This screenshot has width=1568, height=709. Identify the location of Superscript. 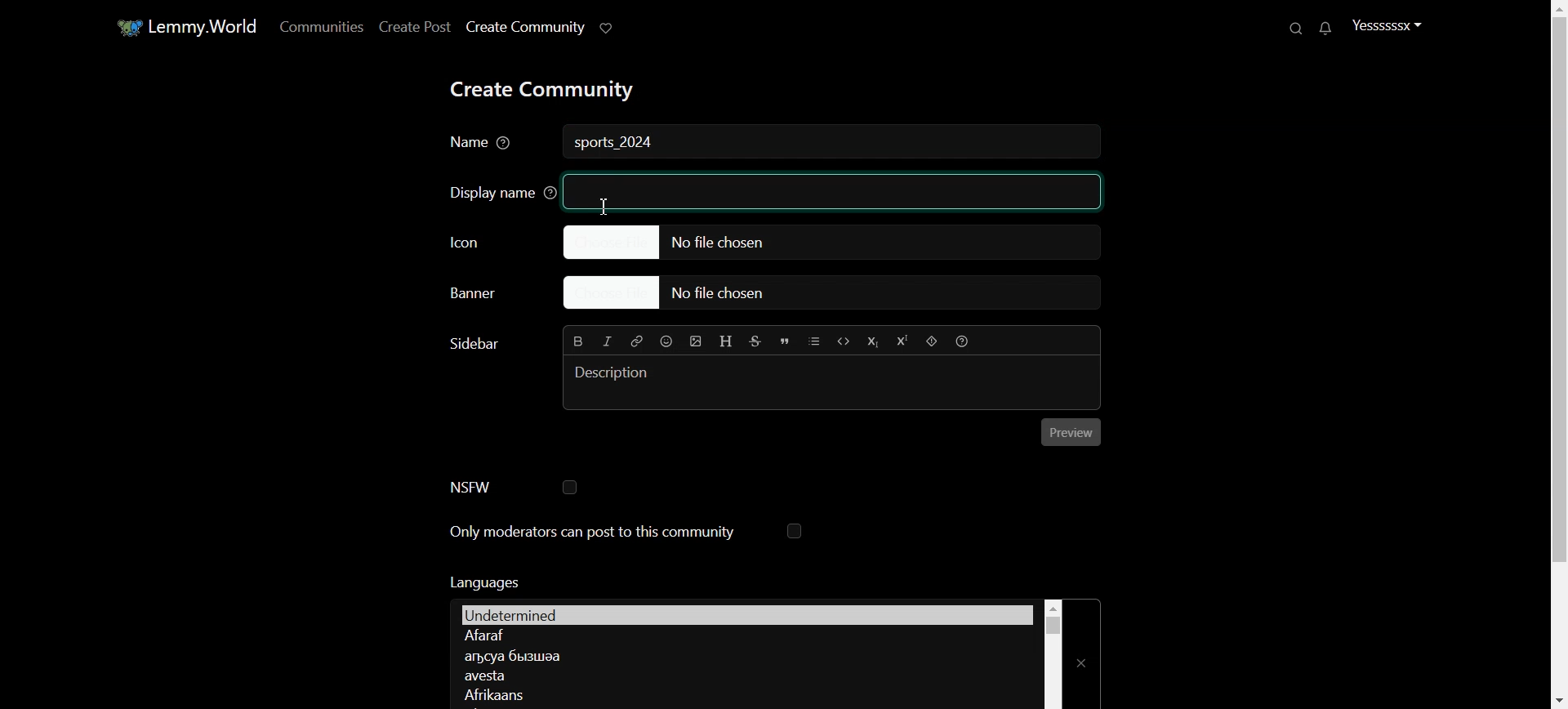
(901, 341).